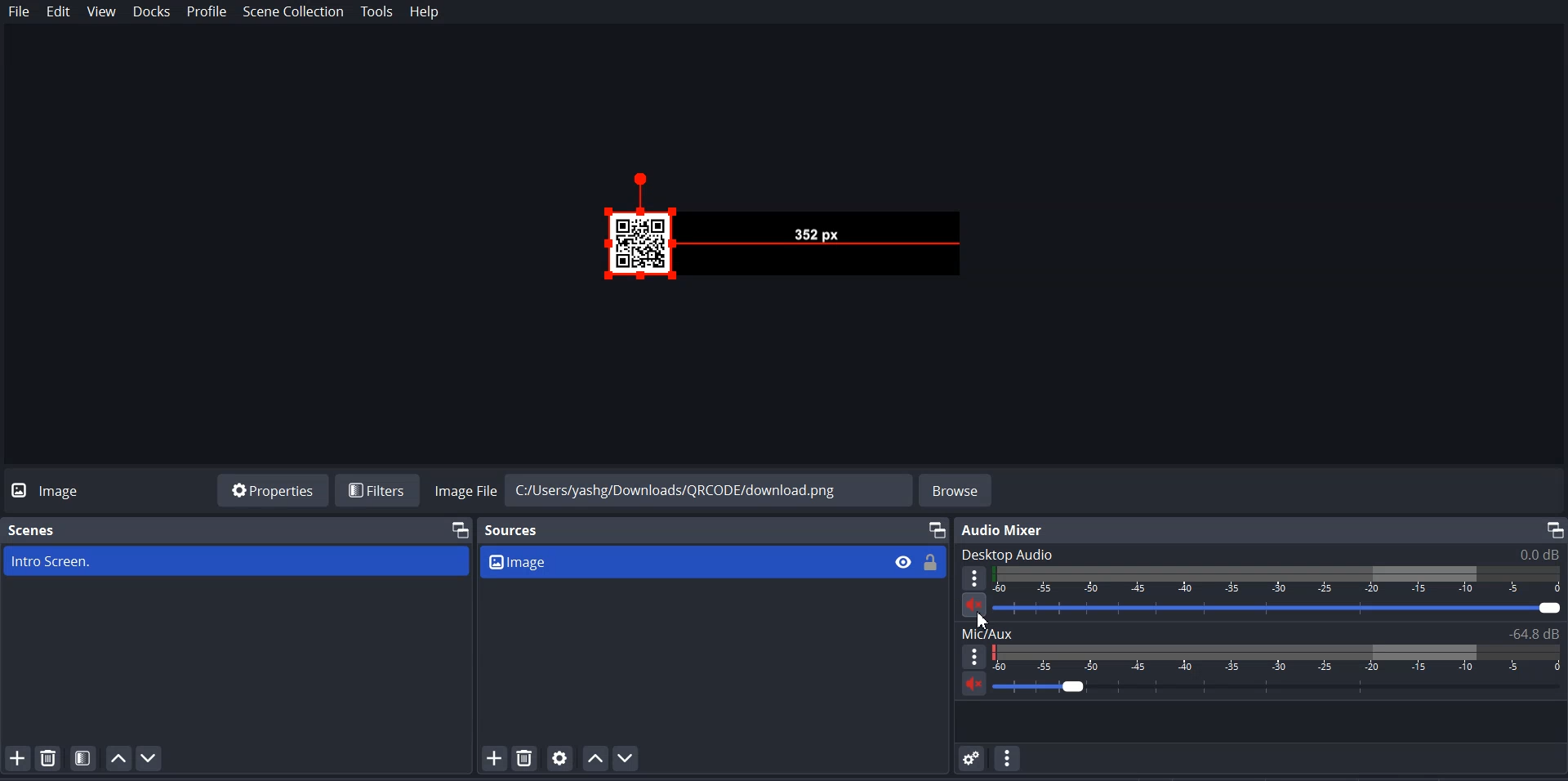 The width and height of the screenshot is (1568, 781). What do you see at coordinates (83, 756) in the screenshot?
I see `Open scene Filter` at bounding box center [83, 756].